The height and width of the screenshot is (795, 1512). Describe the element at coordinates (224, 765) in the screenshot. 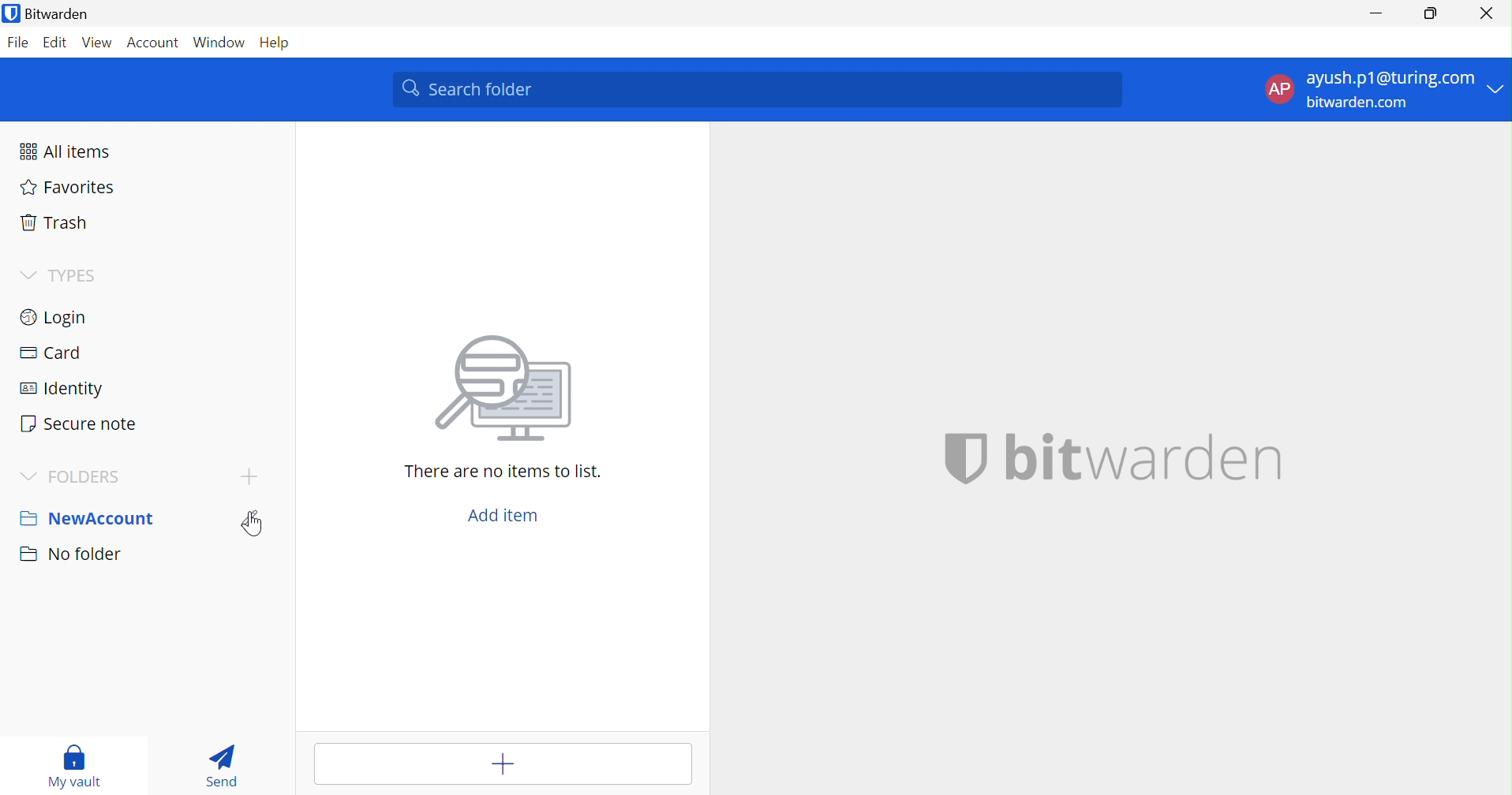

I see `Send` at that location.